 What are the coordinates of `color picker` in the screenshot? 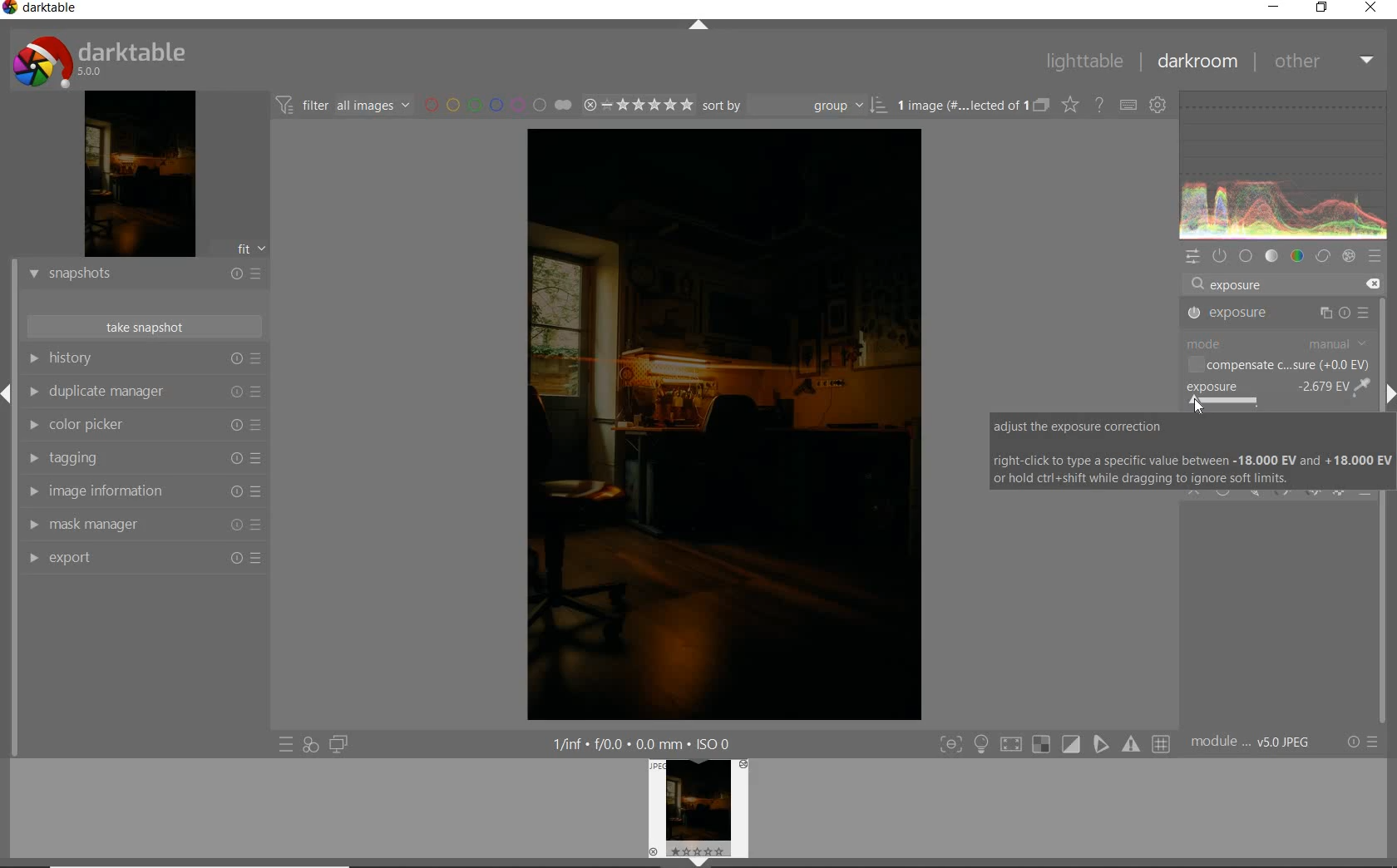 It's located at (141, 423).